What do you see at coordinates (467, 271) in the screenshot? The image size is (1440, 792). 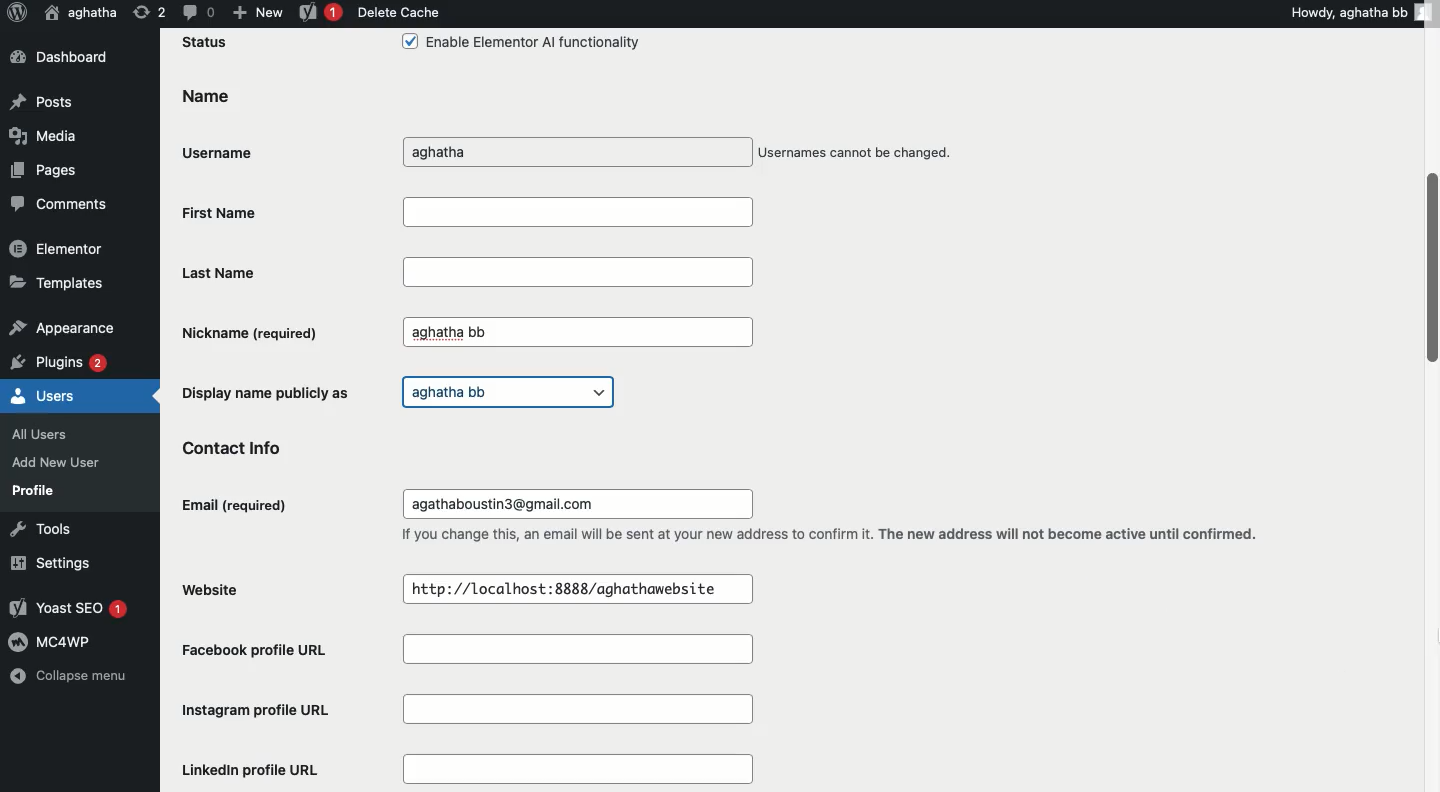 I see `Last Name` at bounding box center [467, 271].